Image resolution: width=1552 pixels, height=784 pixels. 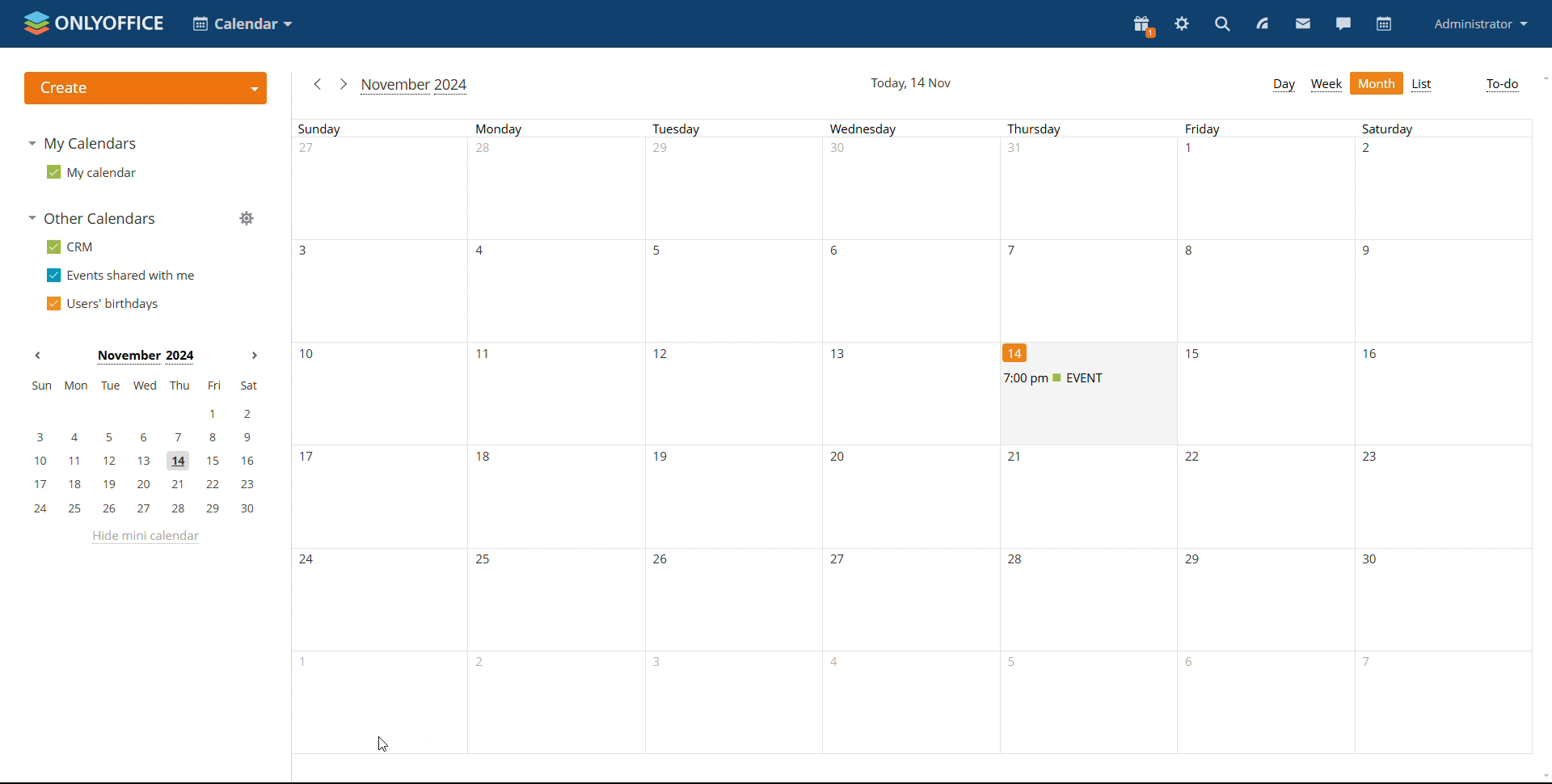 What do you see at coordinates (909, 81) in the screenshot?
I see `current date` at bounding box center [909, 81].